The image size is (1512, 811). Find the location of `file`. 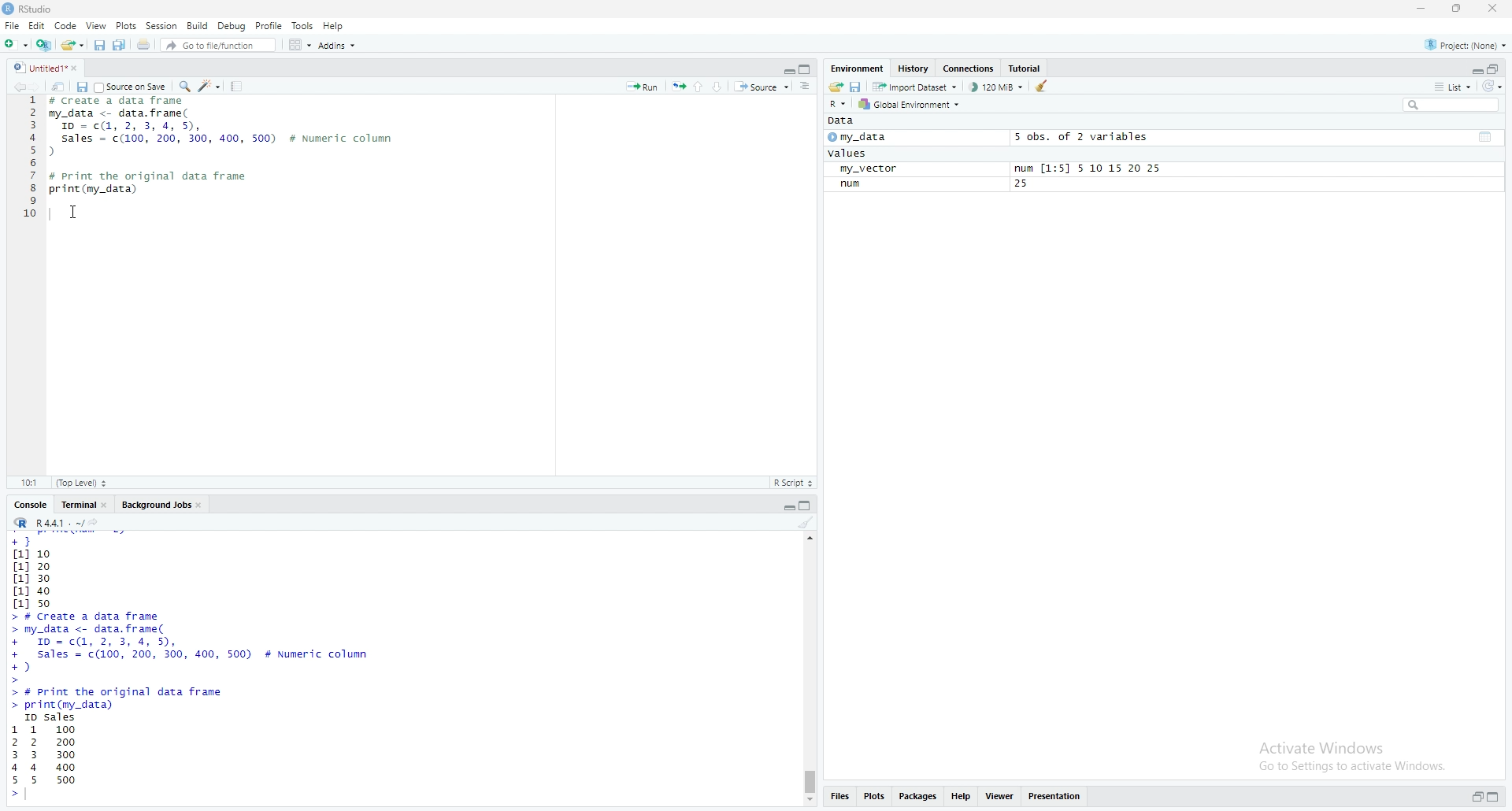

file is located at coordinates (13, 25).